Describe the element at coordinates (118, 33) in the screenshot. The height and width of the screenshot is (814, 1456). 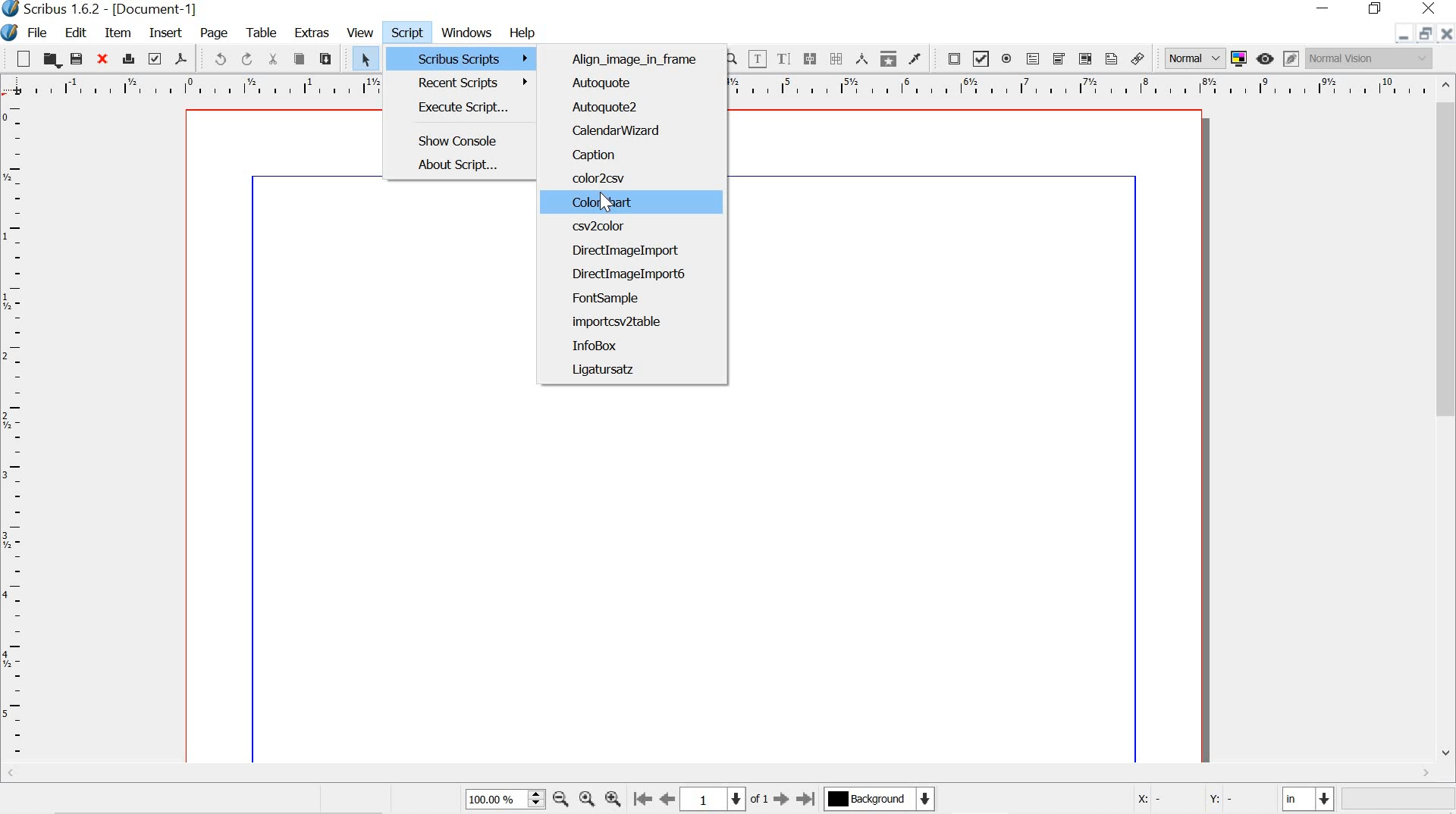
I see `item` at that location.